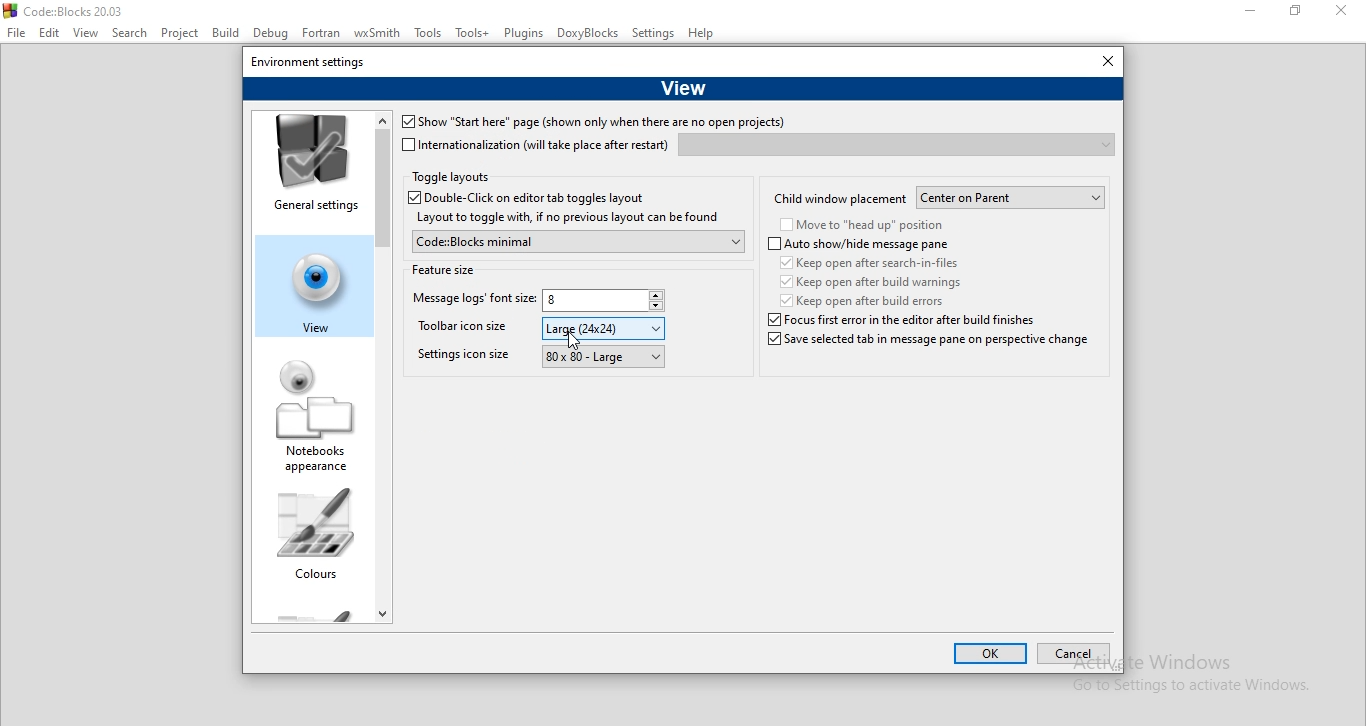  What do you see at coordinates (1012, 198) in the screenshot?
I see `Center on Parent` at bounding box center [1012, 198].